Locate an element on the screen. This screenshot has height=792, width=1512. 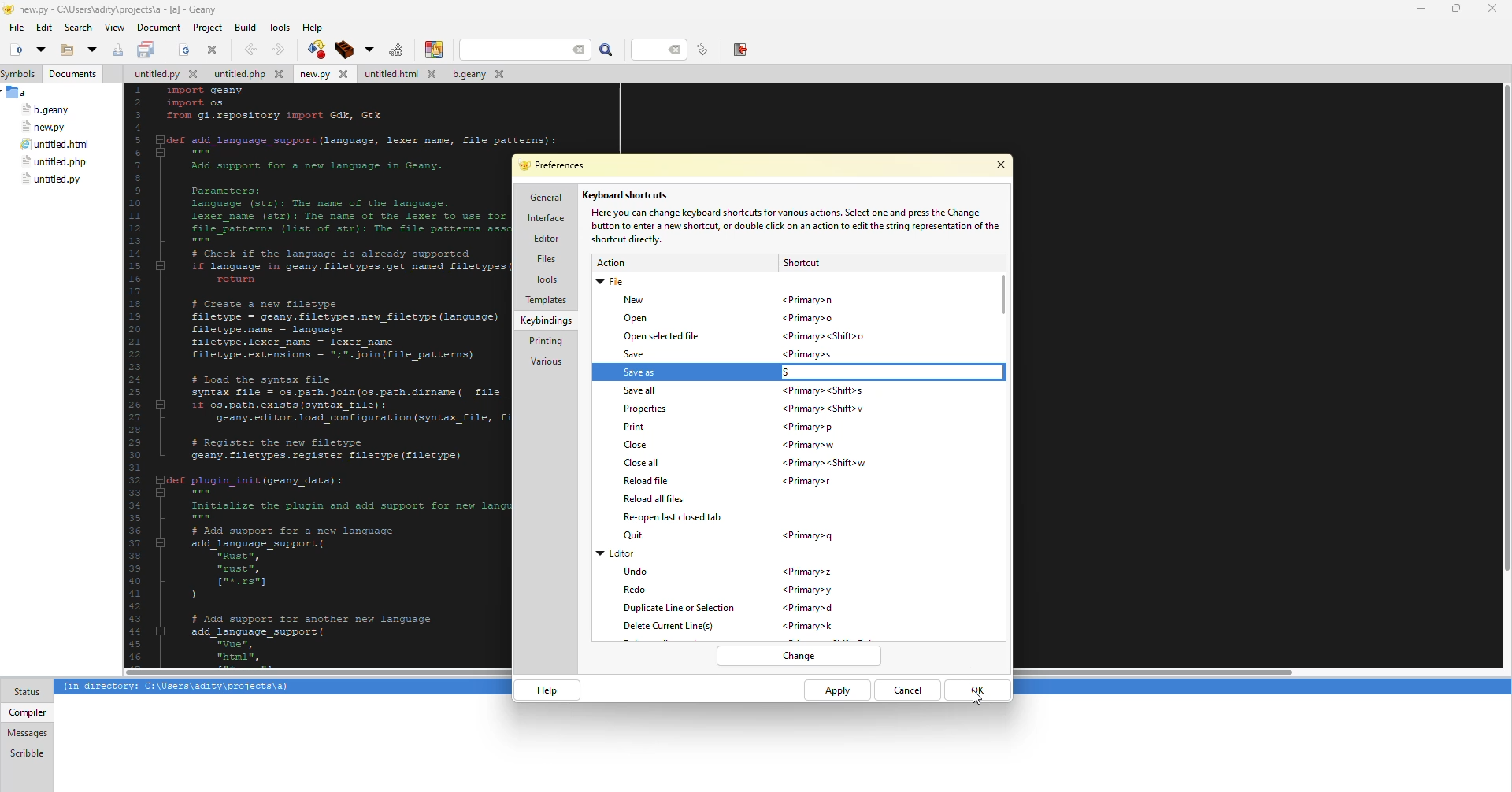
save is located at coordinates (118, 50).